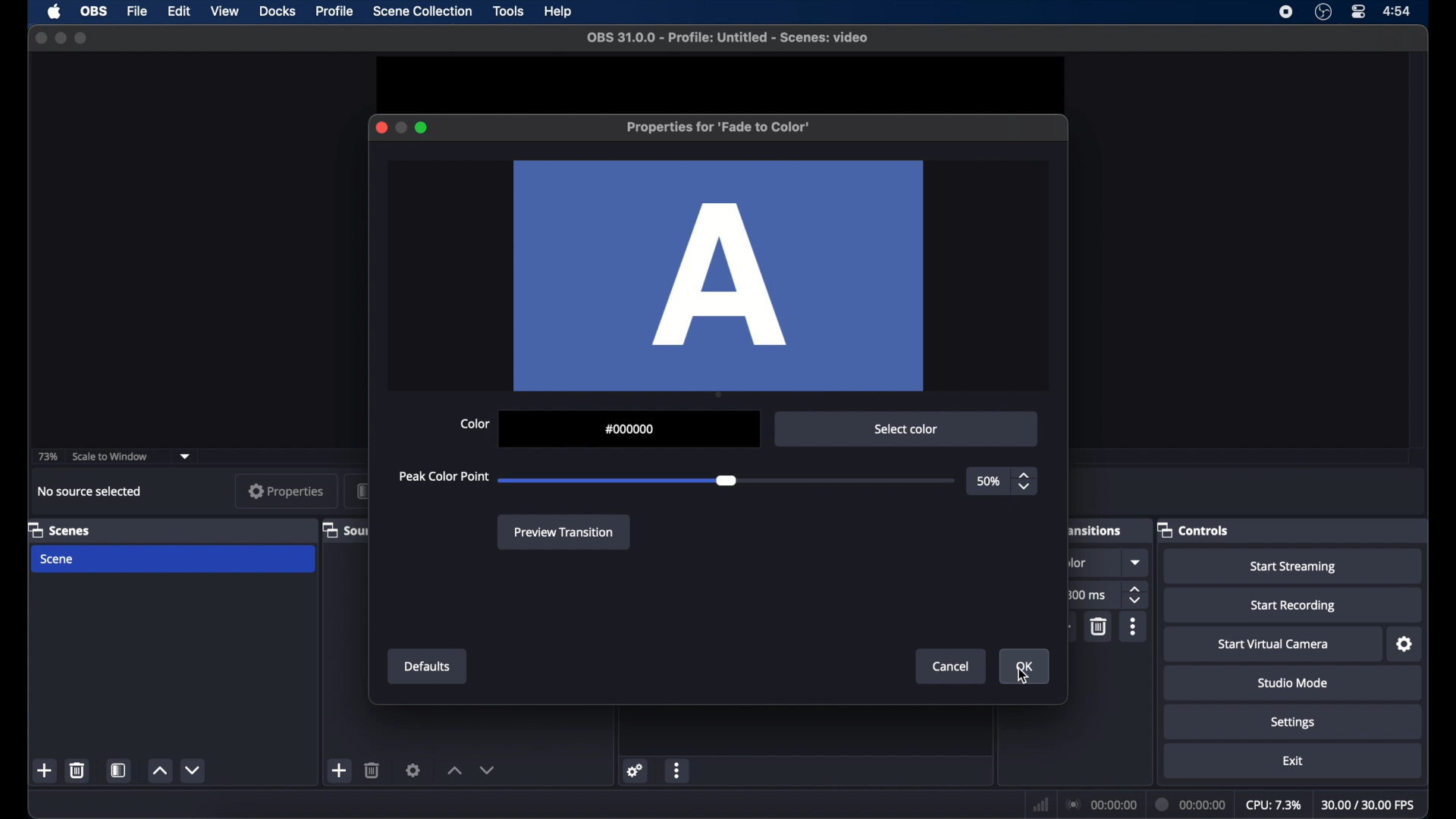 This screenshot has height=819, width=1456. I want to click on dropdown, so click(1137, 562).